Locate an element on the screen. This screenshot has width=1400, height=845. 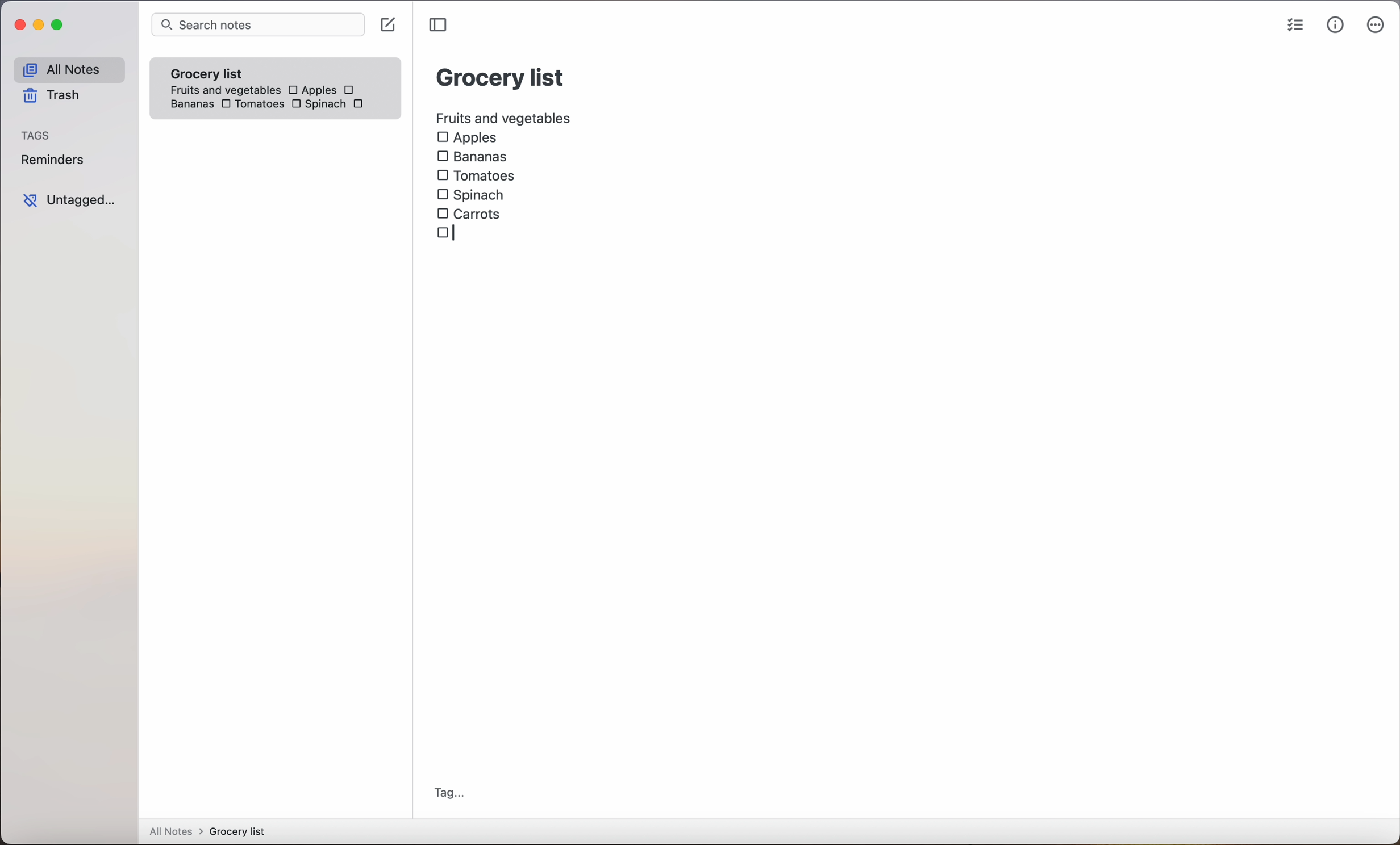
all notes > grocery list is located at coordinates (212, 833).